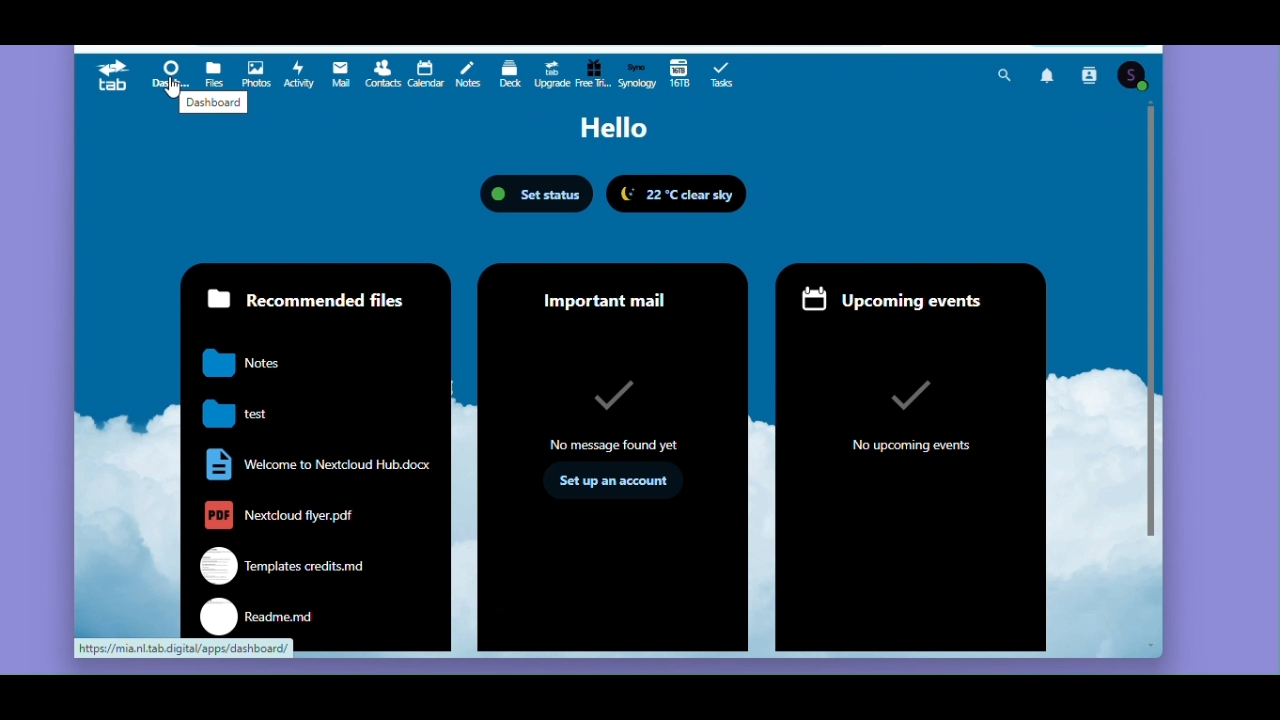  What do you see at coordinates (317, 451) in the screenshot?
I see `Recommended files` at bounding box center [317, 451].